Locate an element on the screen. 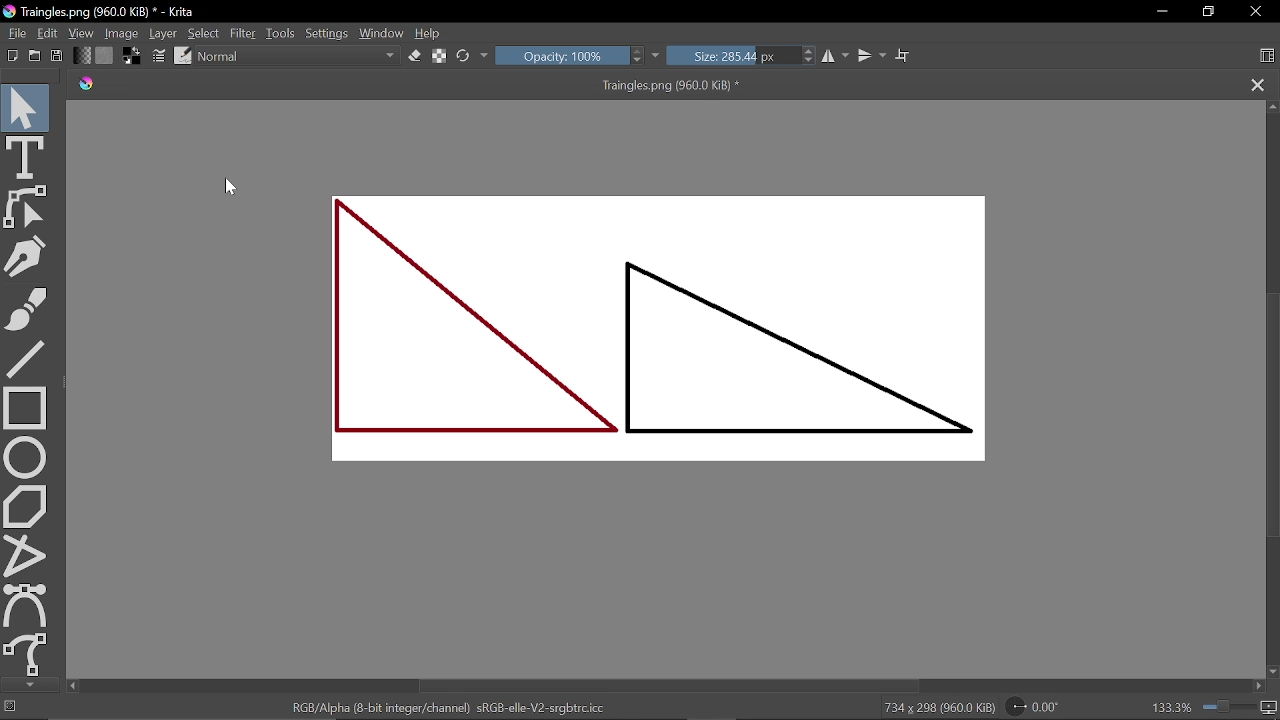 The width and height of the screenshot is (1280, 720). Close tab is located at coordinates (1256, 85).